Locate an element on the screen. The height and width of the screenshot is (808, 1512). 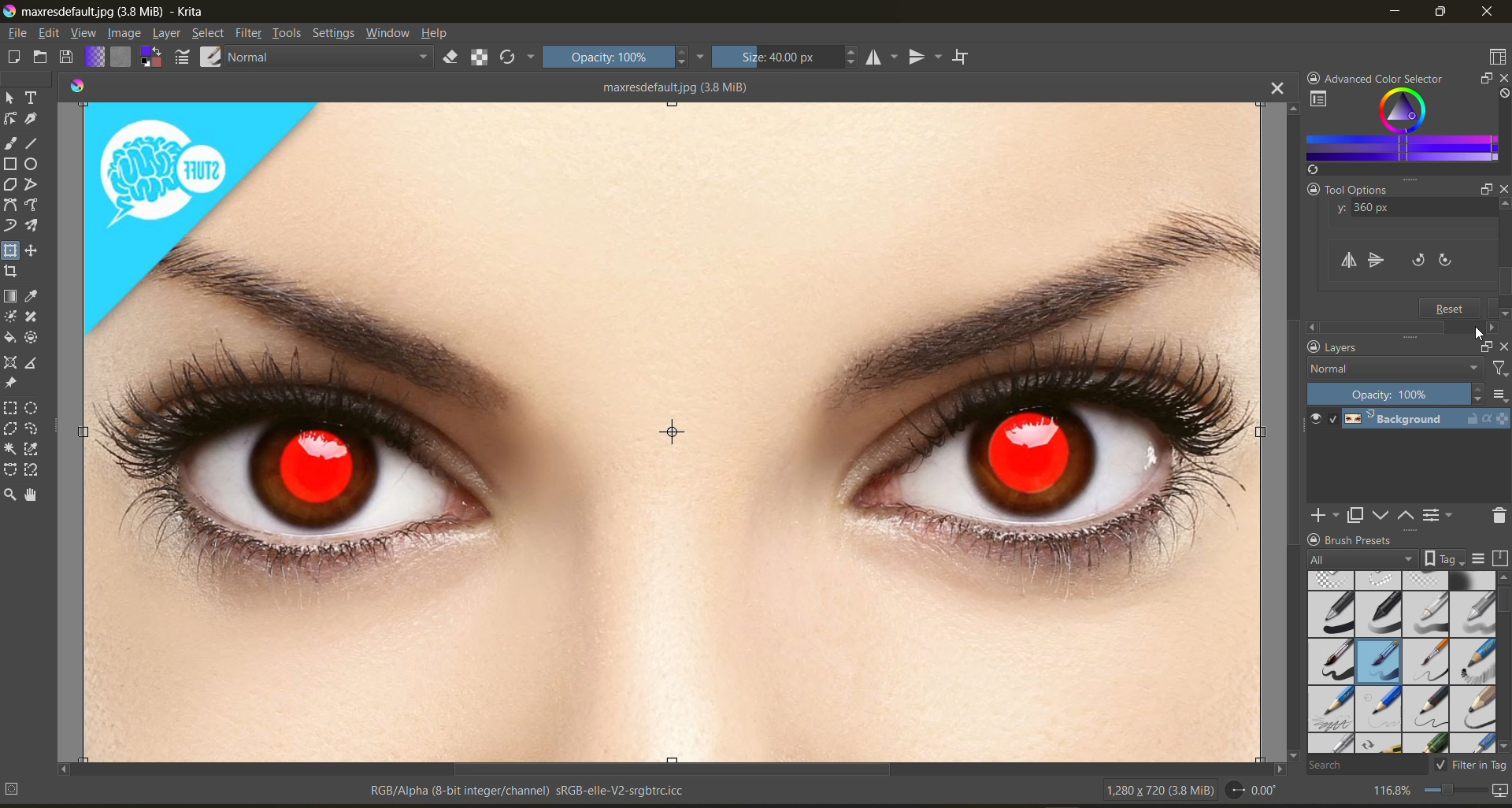
maximize is located at coordinates (1443, 13).